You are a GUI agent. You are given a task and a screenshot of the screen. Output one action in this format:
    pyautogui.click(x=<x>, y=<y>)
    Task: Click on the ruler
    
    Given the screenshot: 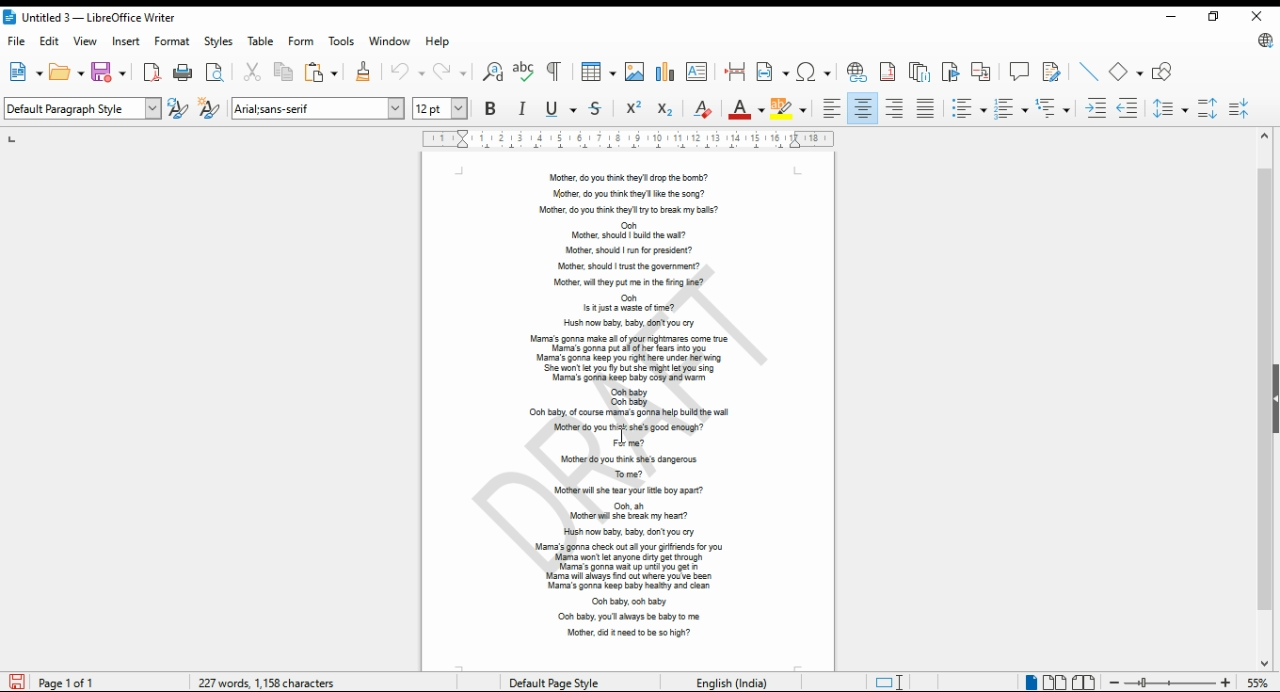 What is the action you would take?
    pyautogui.click(x=627, y=140)
    